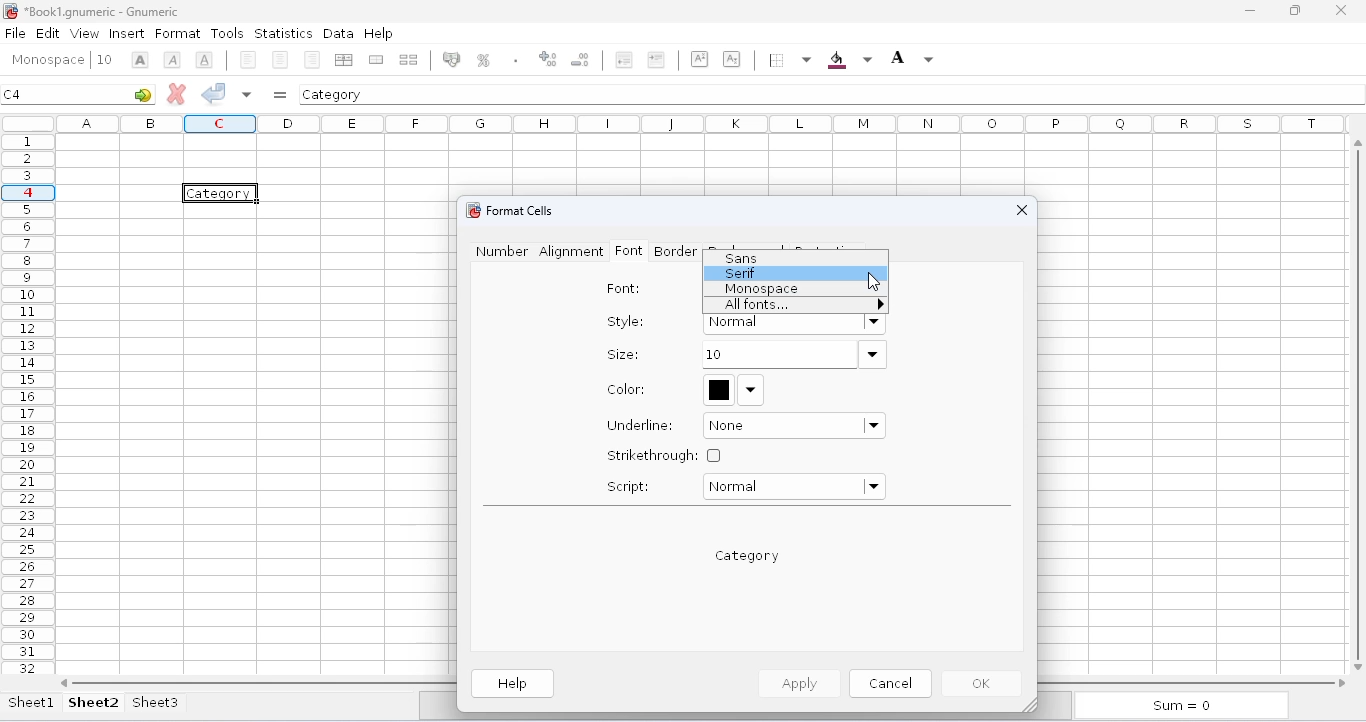  I want to click on apply, so click(797, 683).